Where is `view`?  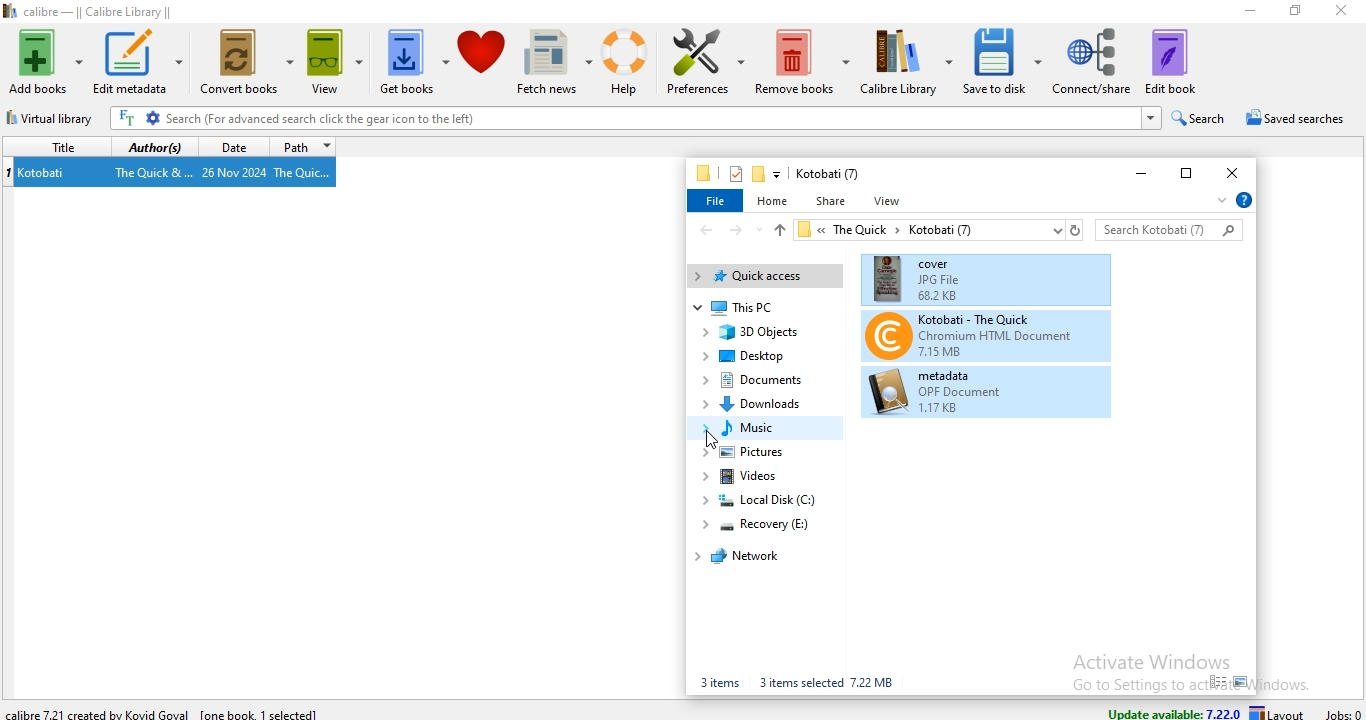
view is located at coordinates (890, 201).